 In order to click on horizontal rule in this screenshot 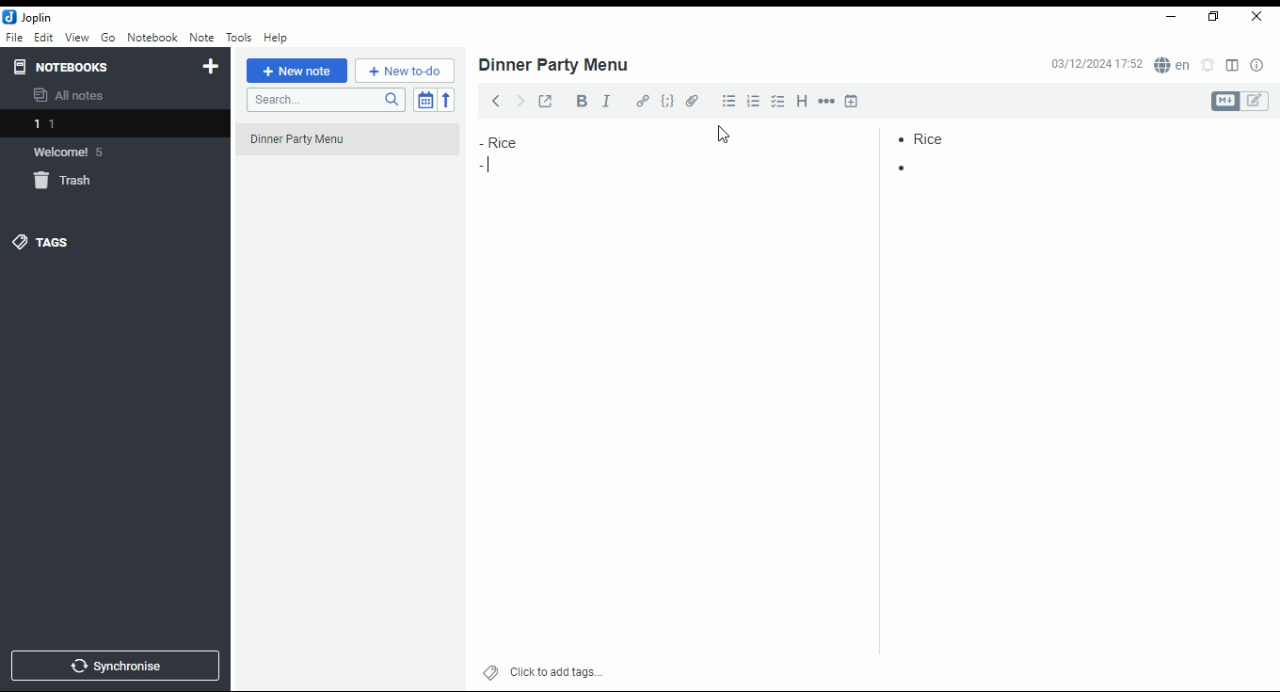, I will do `click(826, 100)`.